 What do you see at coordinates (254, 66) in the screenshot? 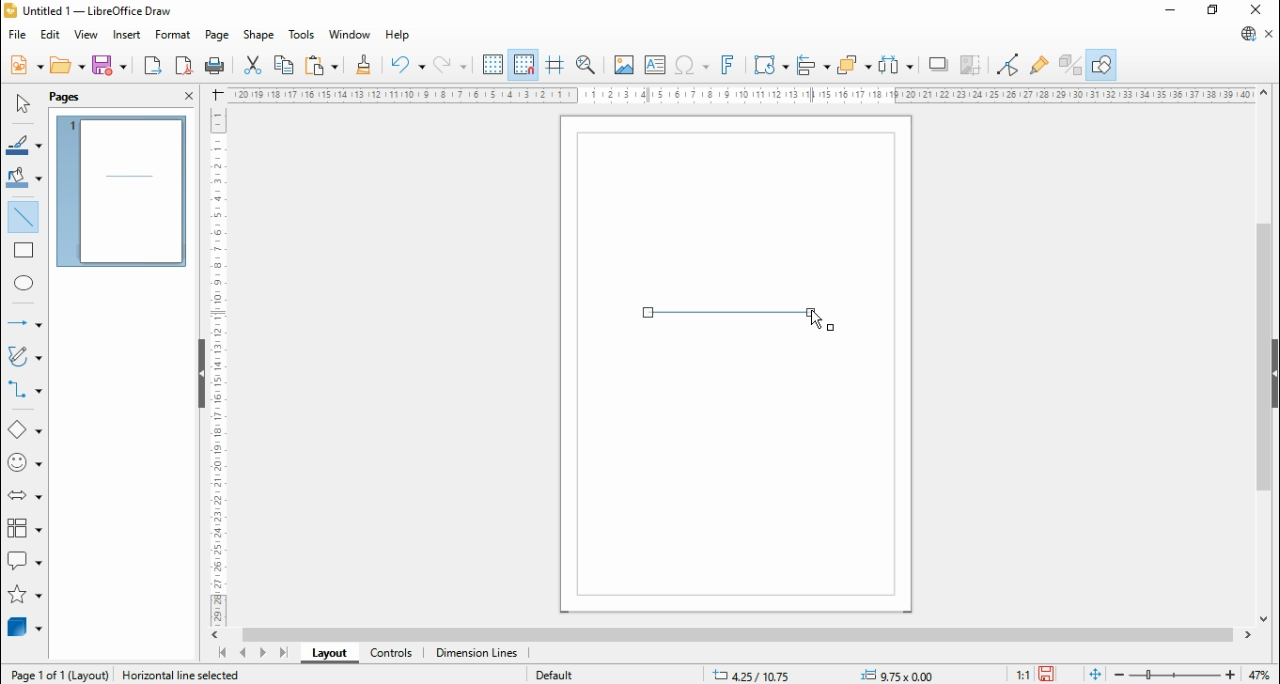
I see `cut` at bounding box center [254, 66].